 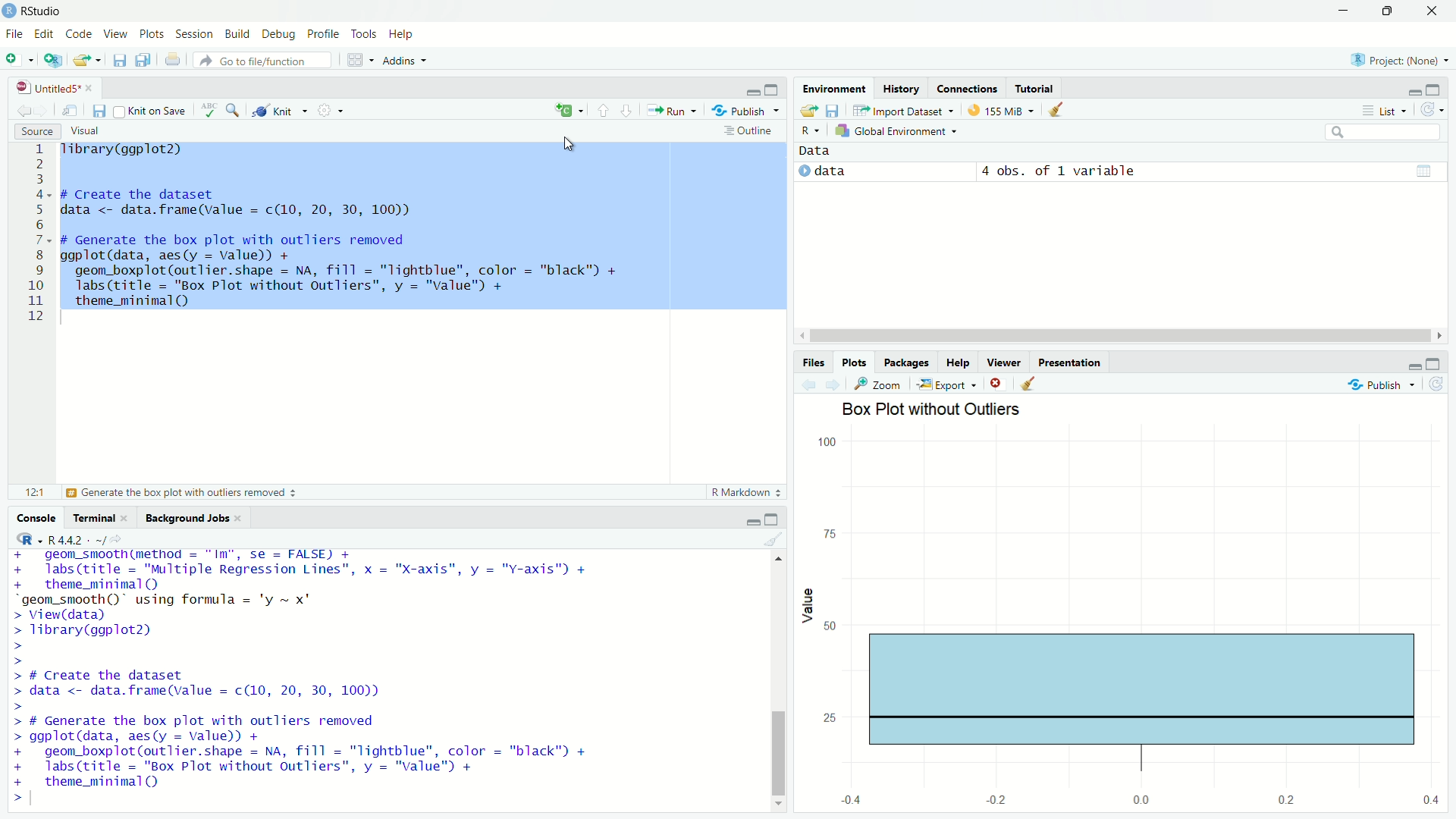 I want to click on + Addins ~, so click(x=400, y=59).